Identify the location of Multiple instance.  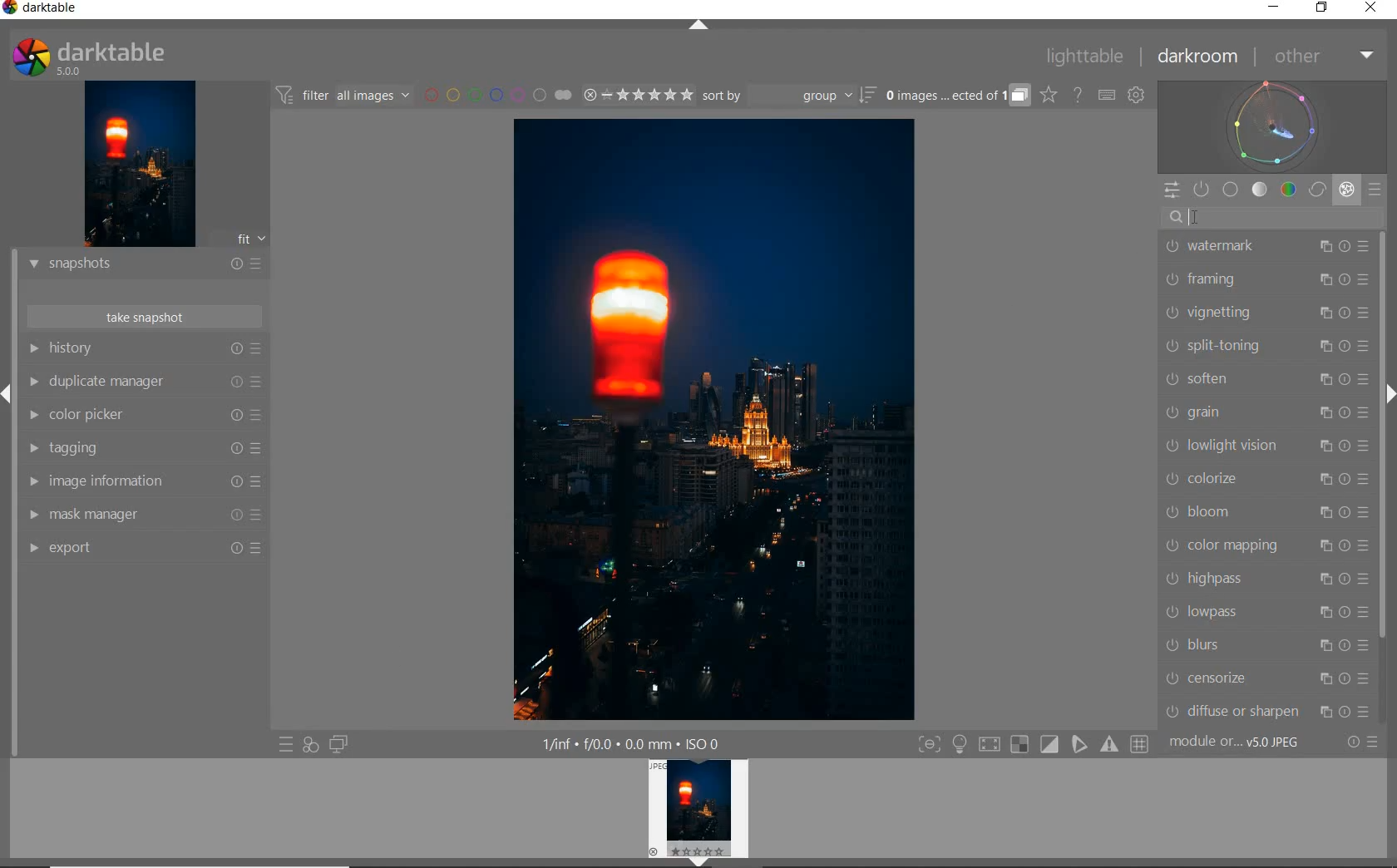
(1319, 512).